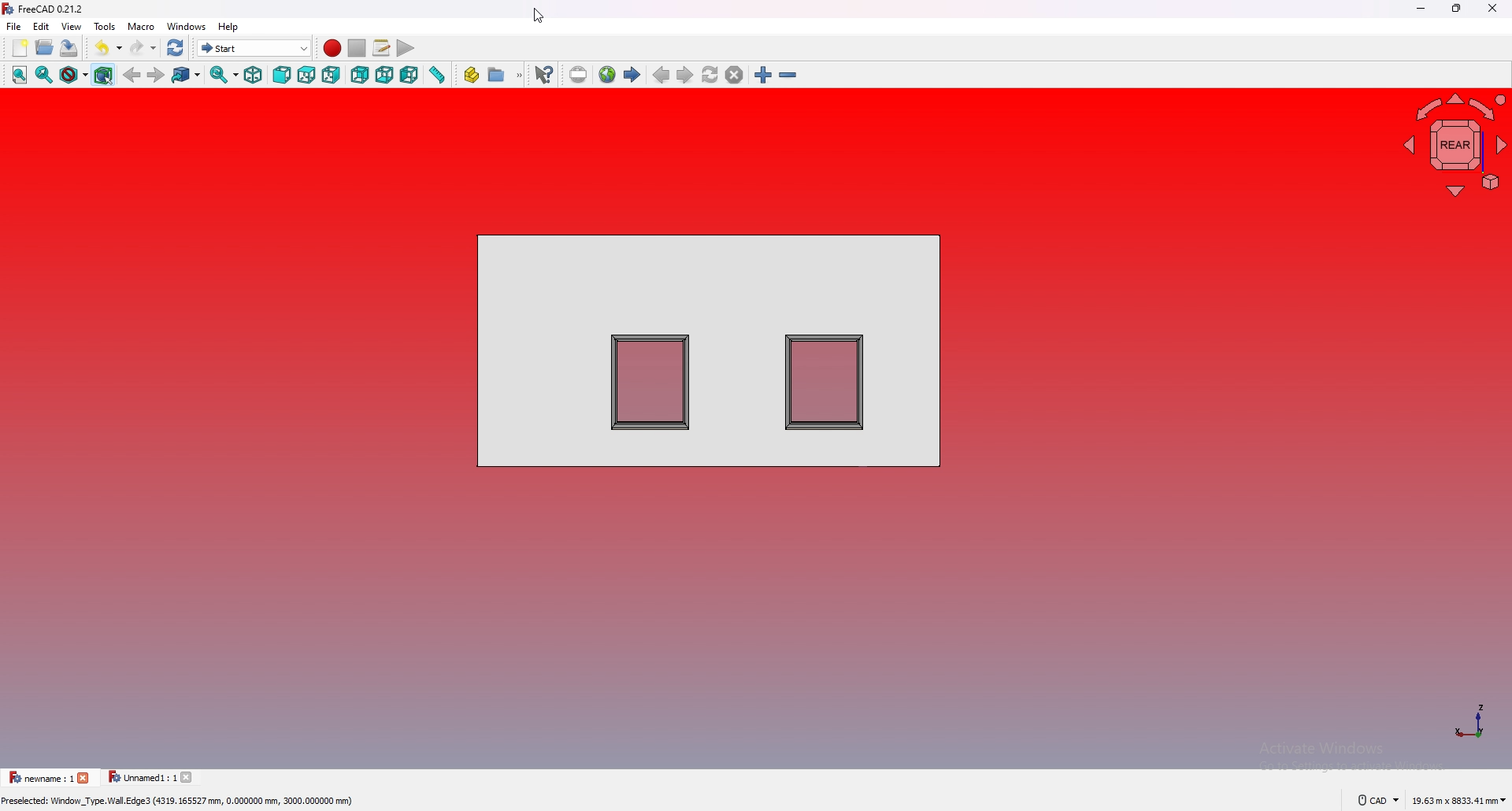 This screenshot has height=811, width=1512. I want to click on forward, so click(157, 76).